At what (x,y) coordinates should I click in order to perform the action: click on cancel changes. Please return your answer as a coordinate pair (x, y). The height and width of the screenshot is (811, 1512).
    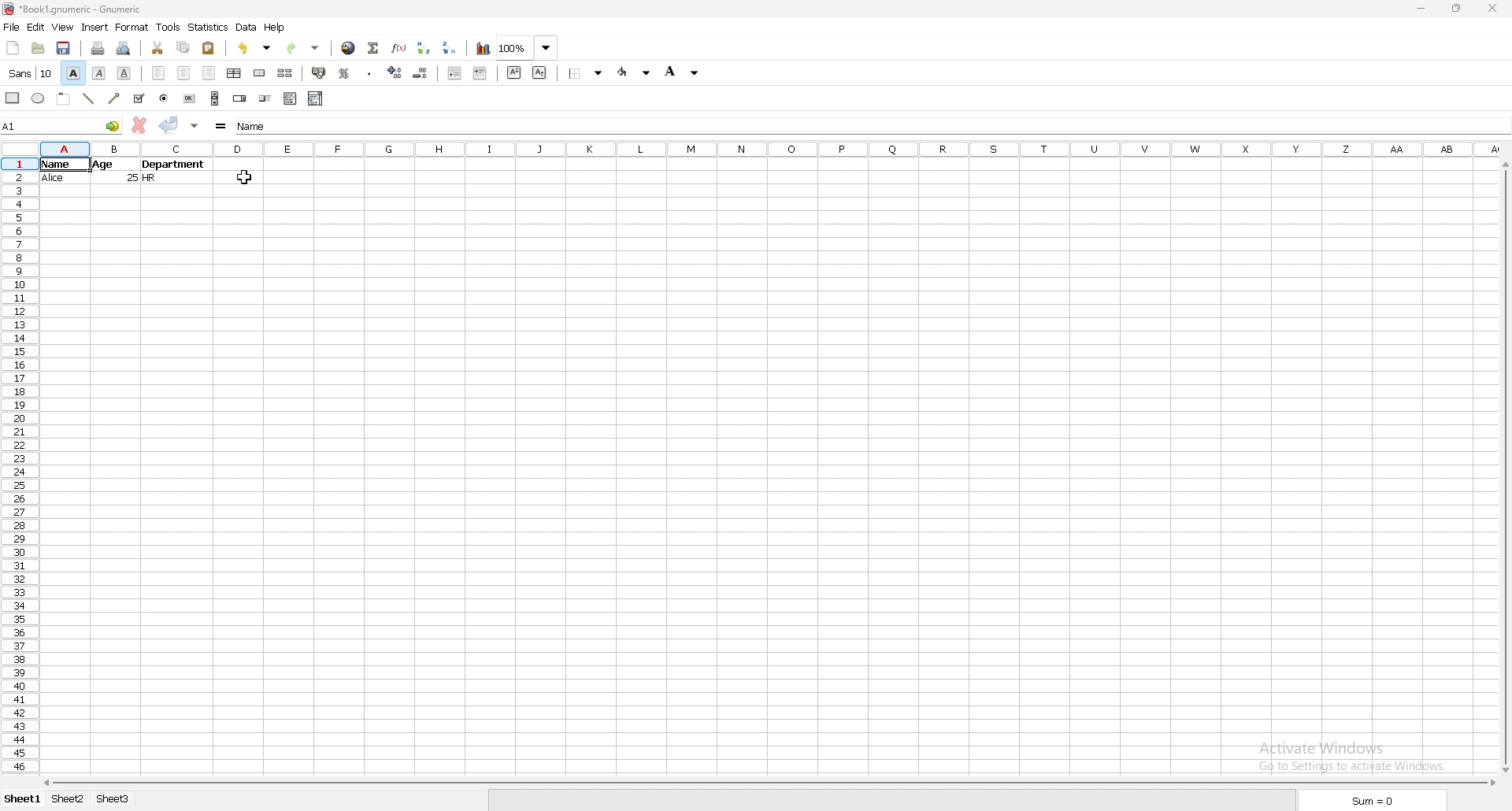
    Looking at the image, I should click on (139, 125).